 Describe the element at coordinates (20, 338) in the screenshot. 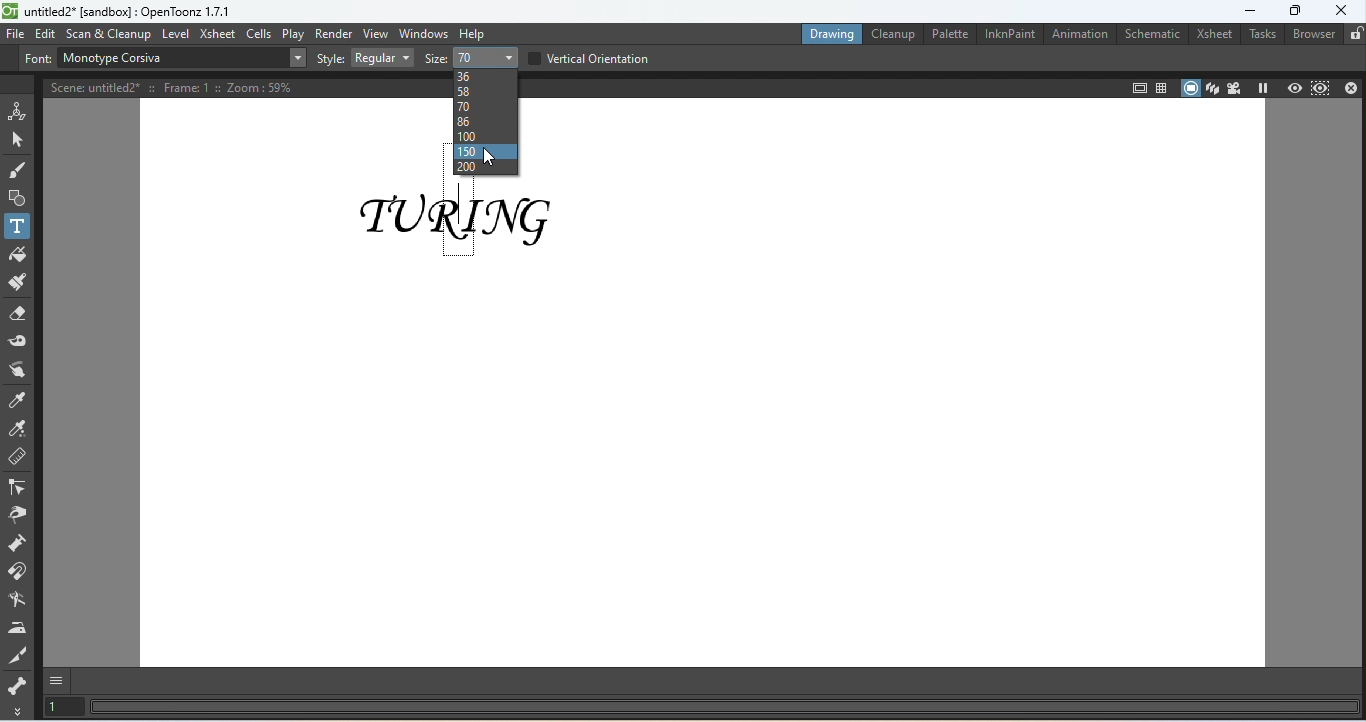

I see `Tape tool` at that location.